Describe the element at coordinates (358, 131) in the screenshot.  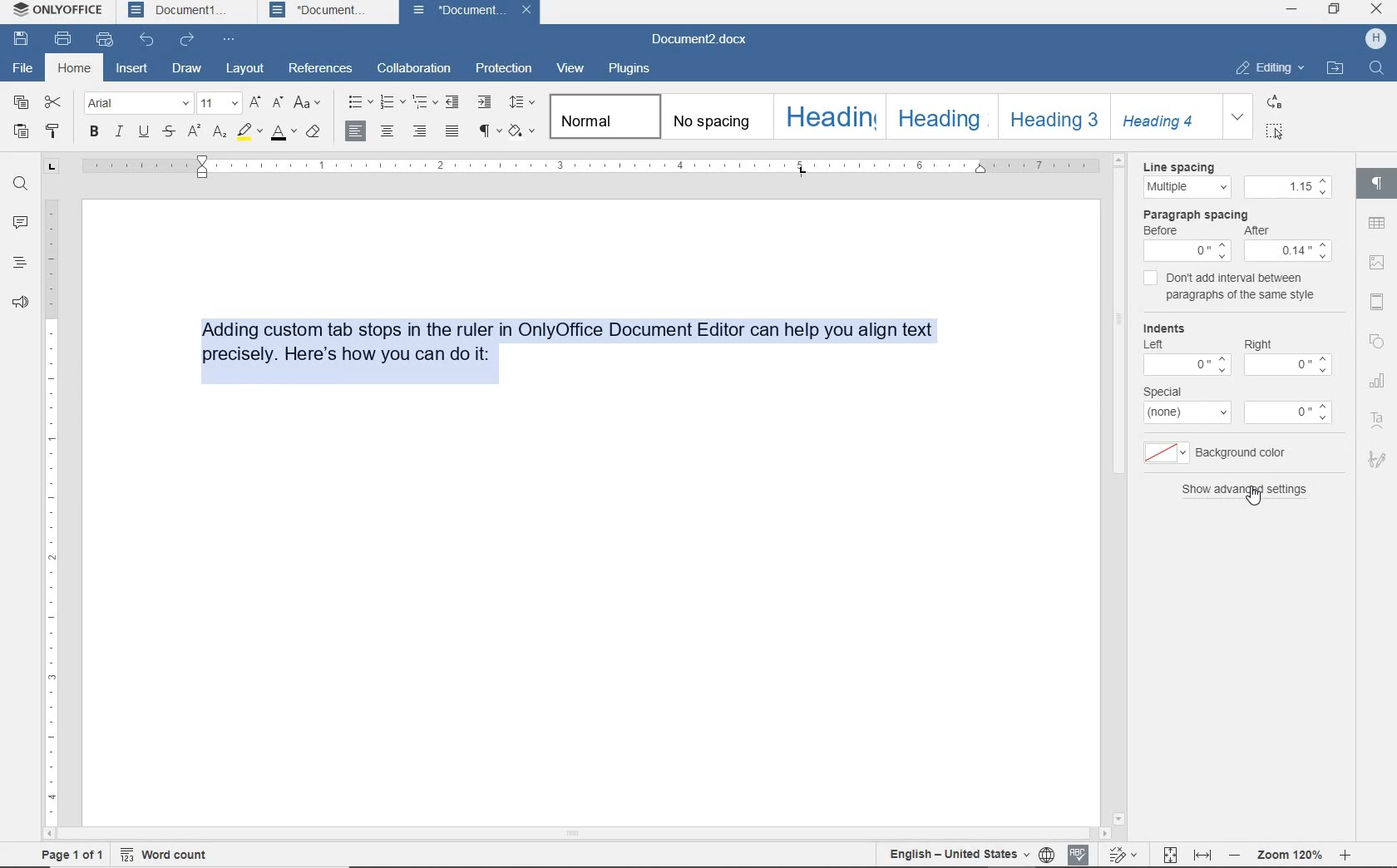
I see `align right` at that location.